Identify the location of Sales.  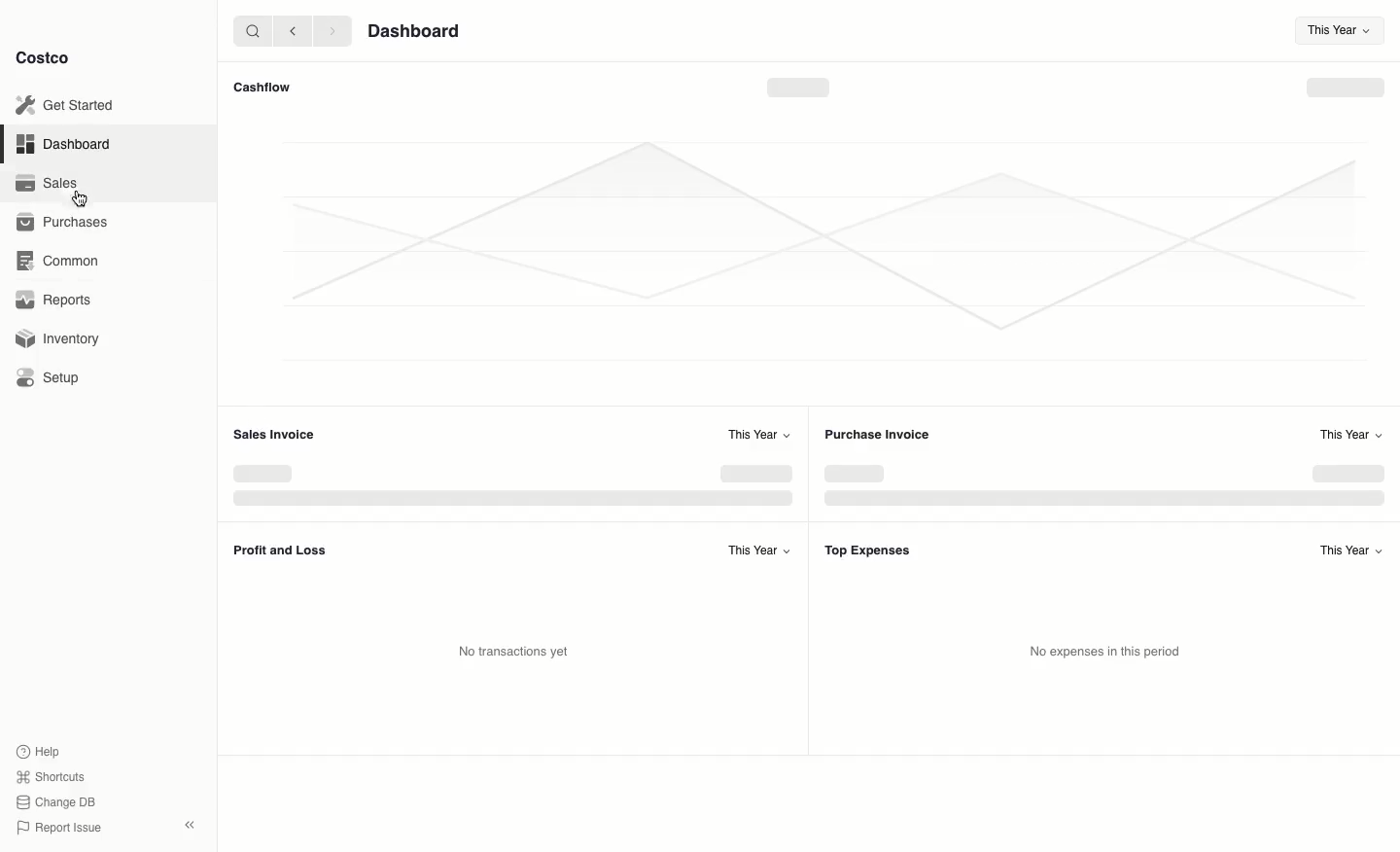
(46, 183).